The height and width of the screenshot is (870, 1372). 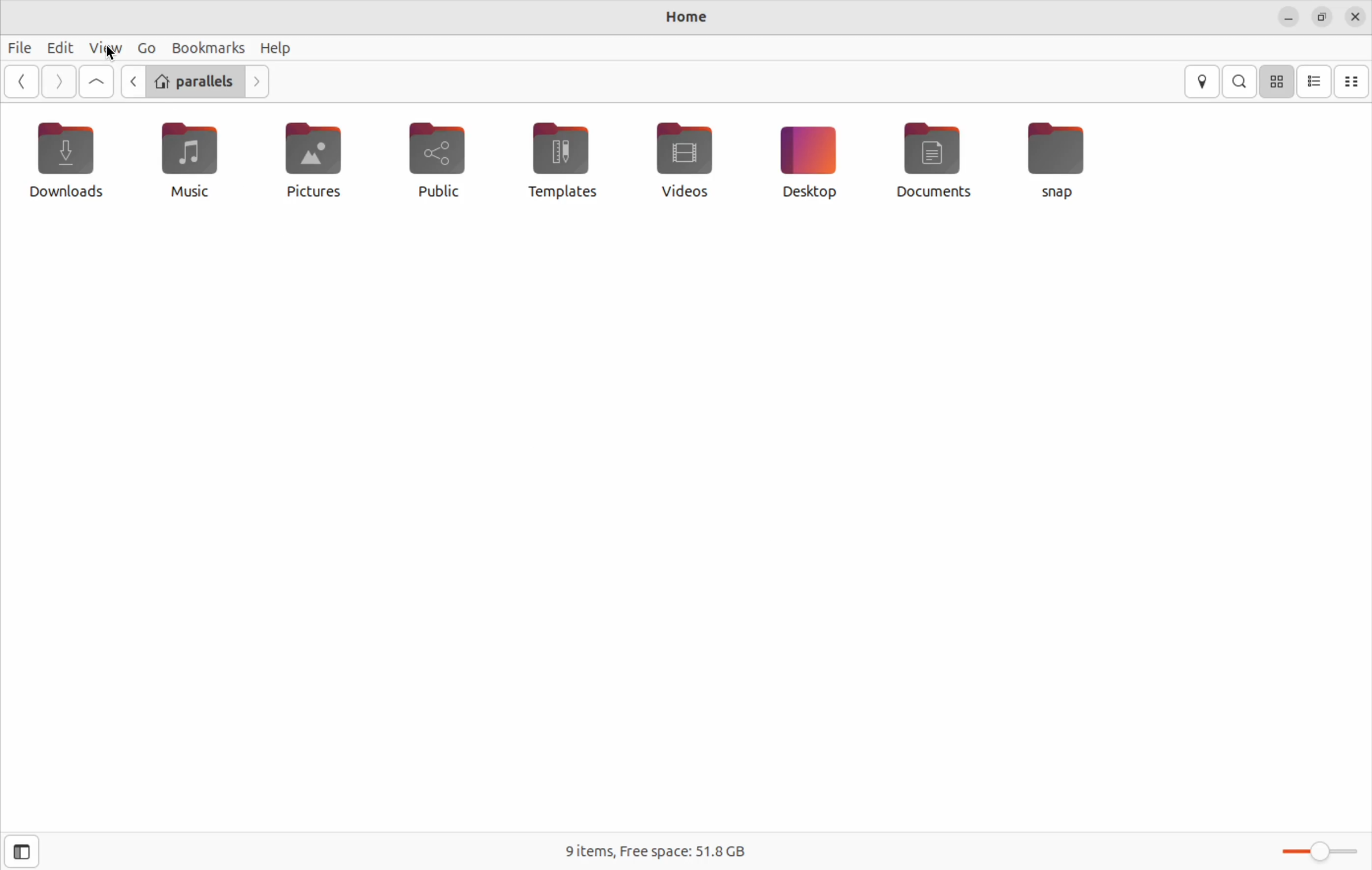 I want to click on Documents, so click(x=933, y=160).